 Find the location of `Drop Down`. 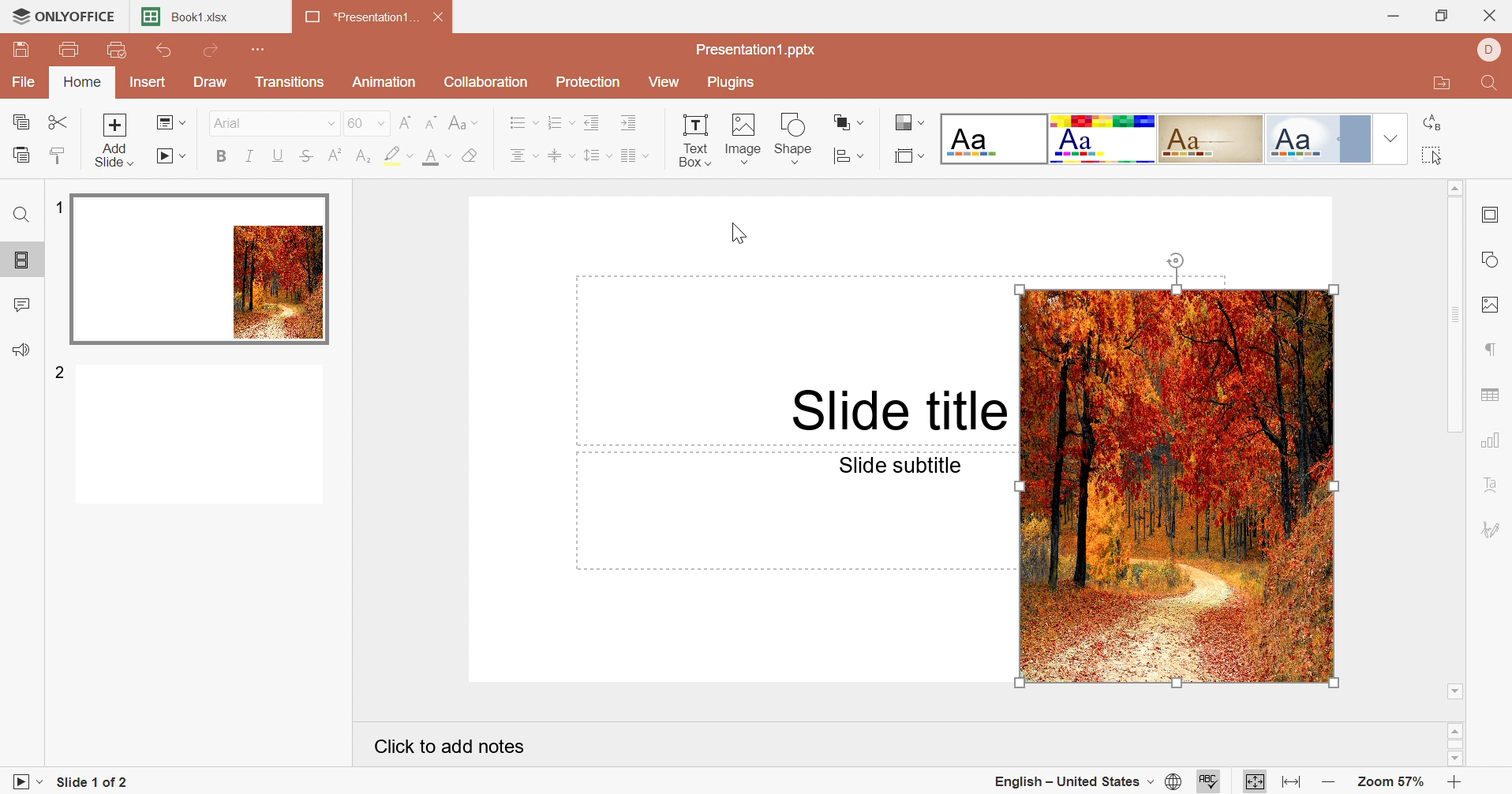

Drop Down is located at coordinates (1390, 139).